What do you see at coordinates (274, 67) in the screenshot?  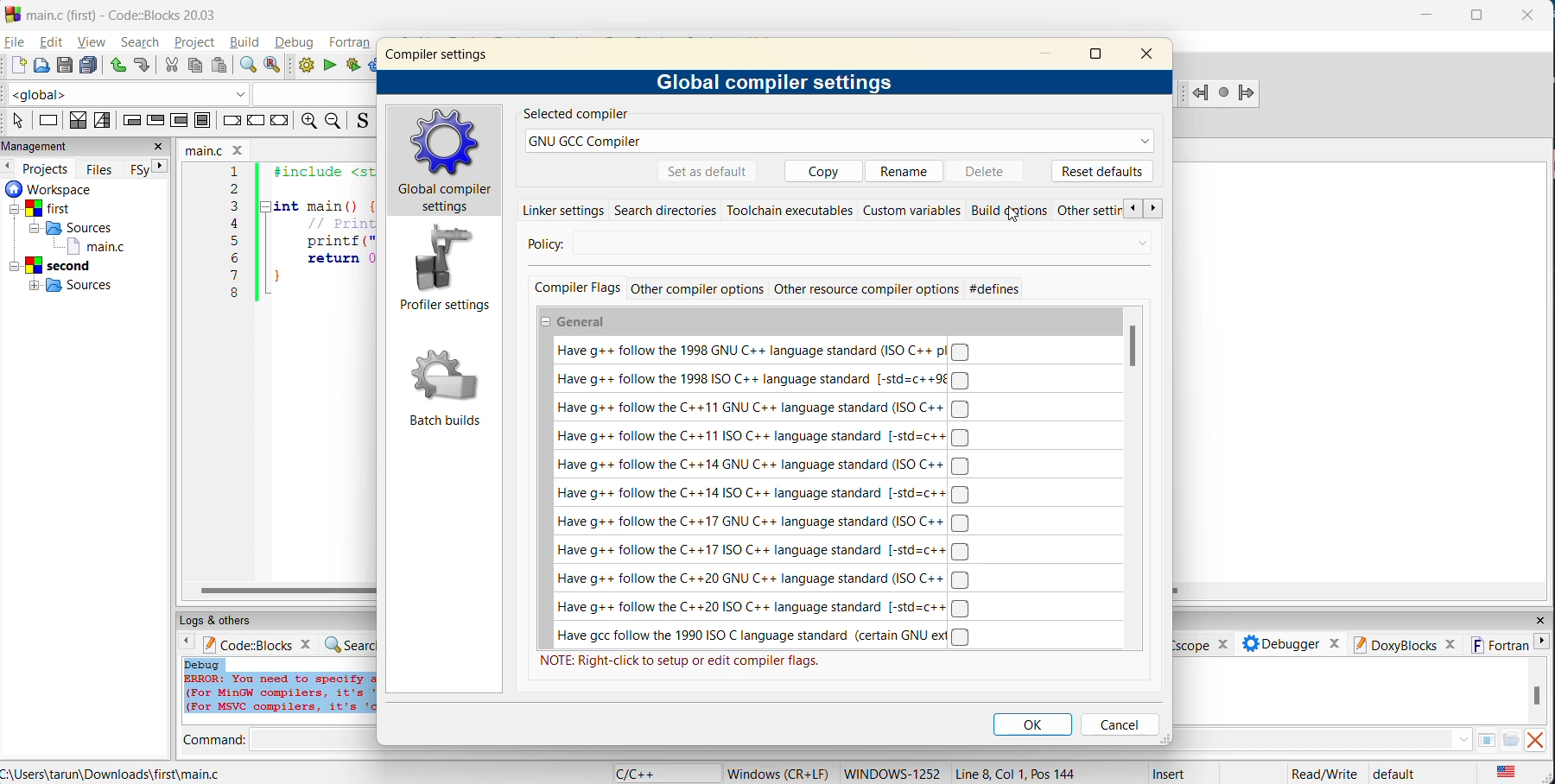 I see `replace` at bounding box center [274, 67].